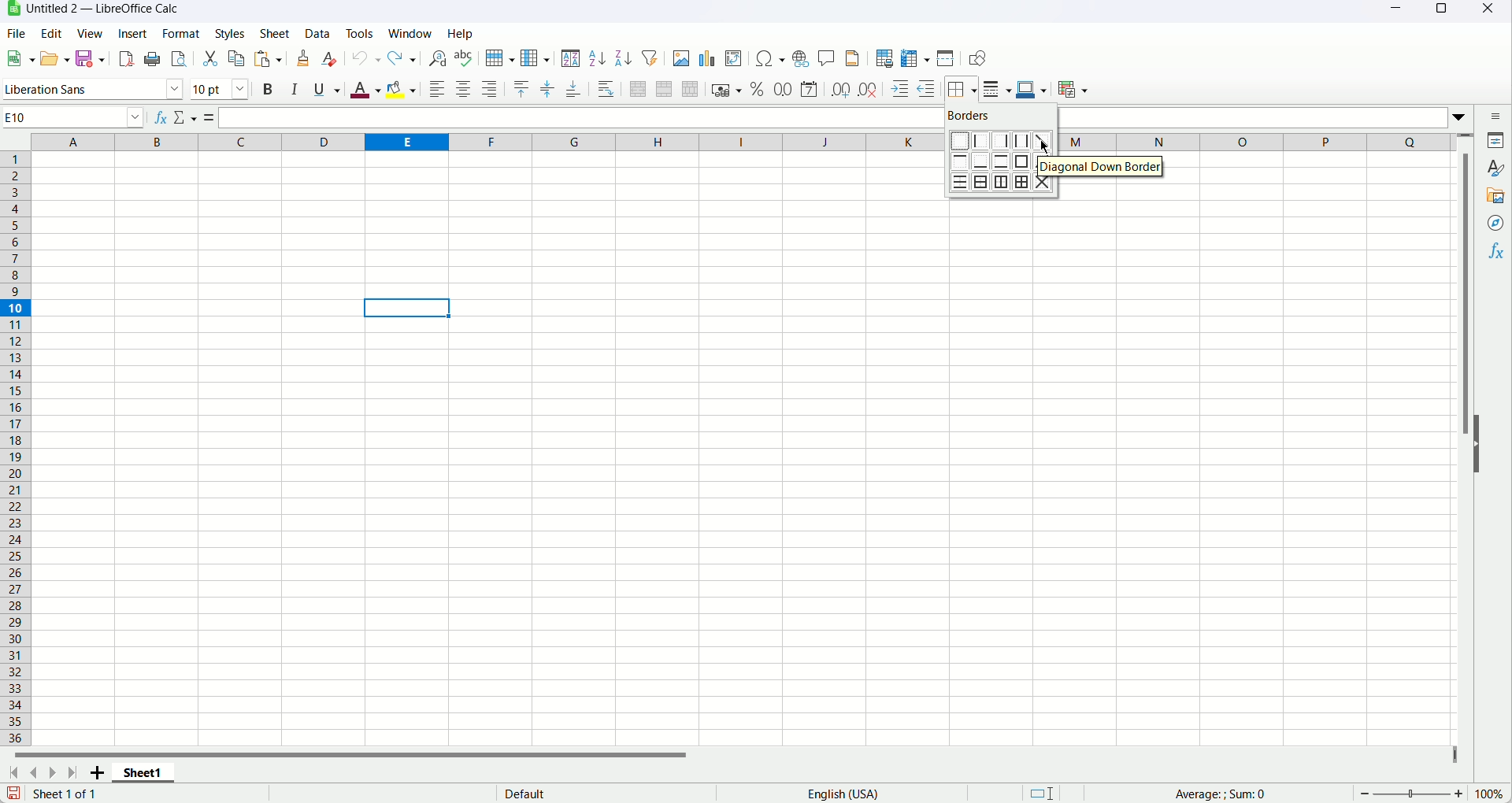  What do you see at coordinates (154, 58) in the screenshot?
I see `Print` at bounding box center [154, 58].